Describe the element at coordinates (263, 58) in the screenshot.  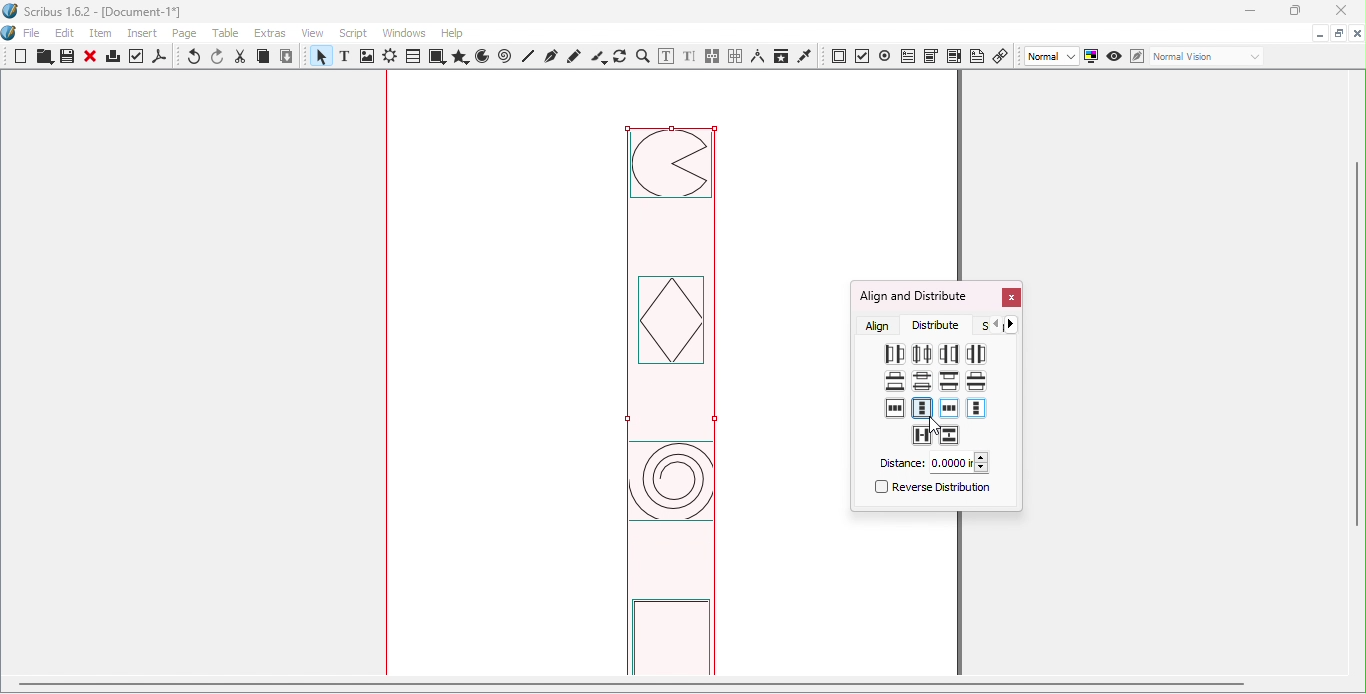
I see `Copy` at that location.